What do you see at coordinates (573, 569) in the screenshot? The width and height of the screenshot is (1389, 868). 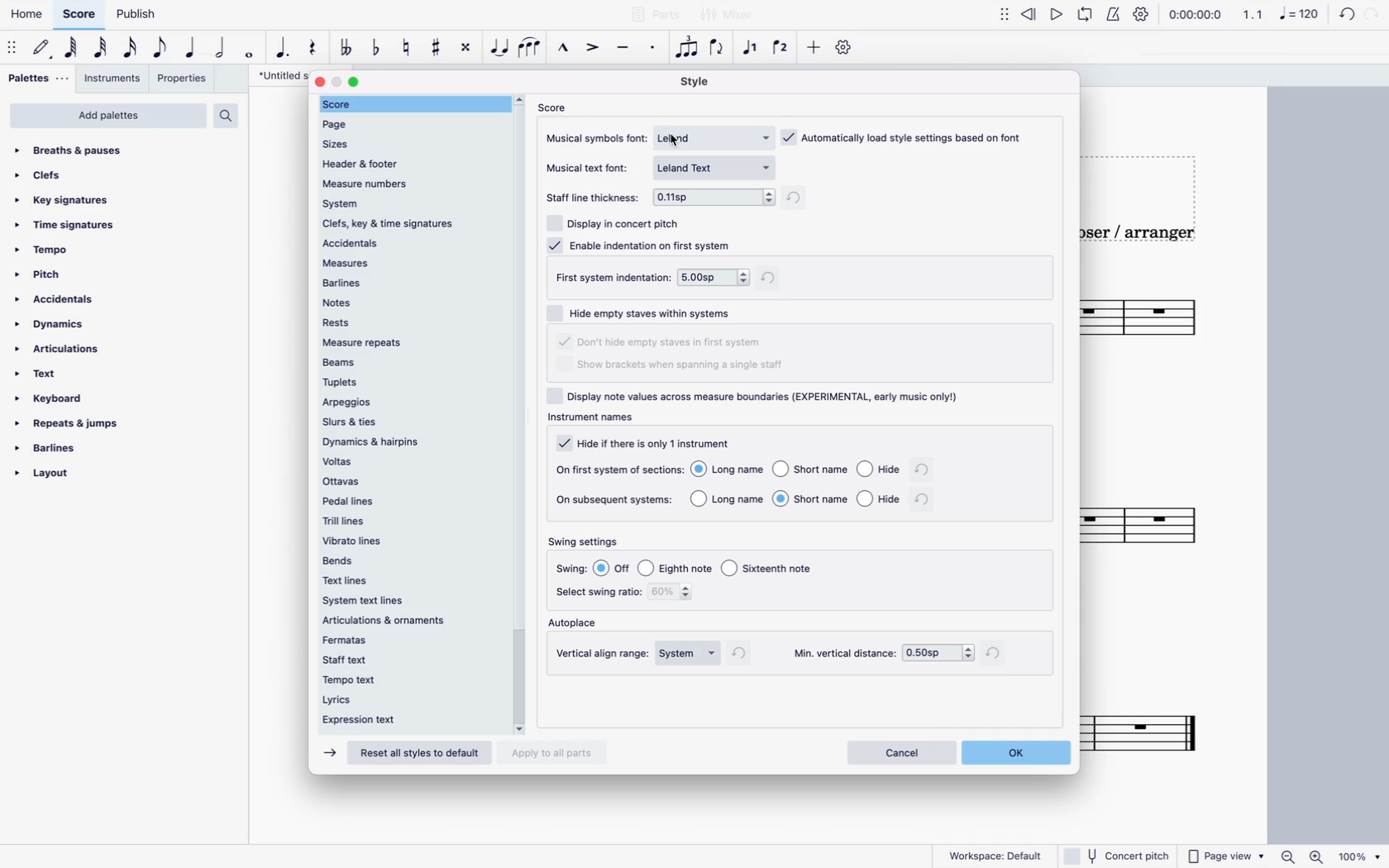 I see `swing` at bounding box center [573, 569].